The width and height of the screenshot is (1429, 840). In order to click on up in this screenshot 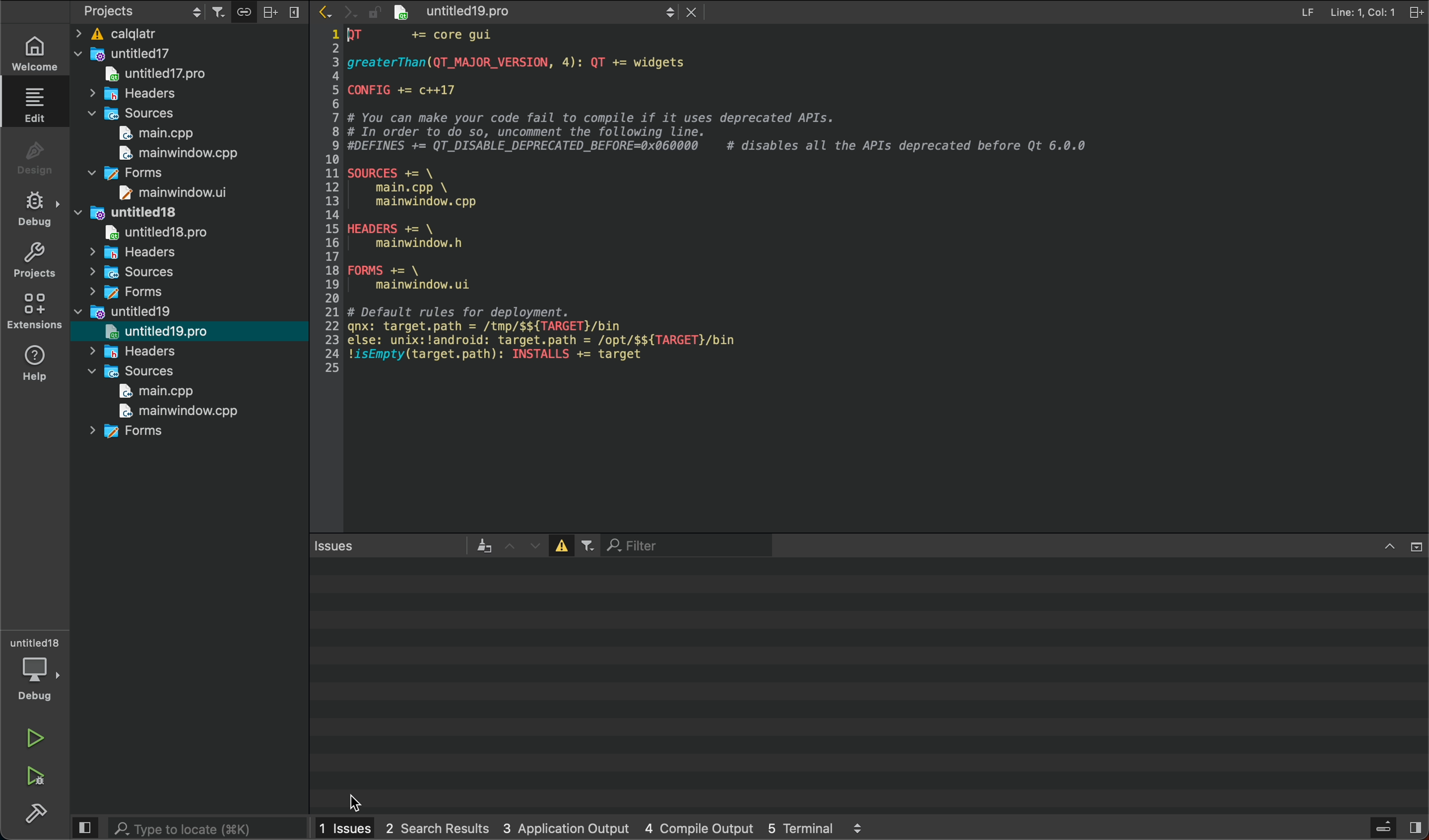, I will do `click(504, 545)`.